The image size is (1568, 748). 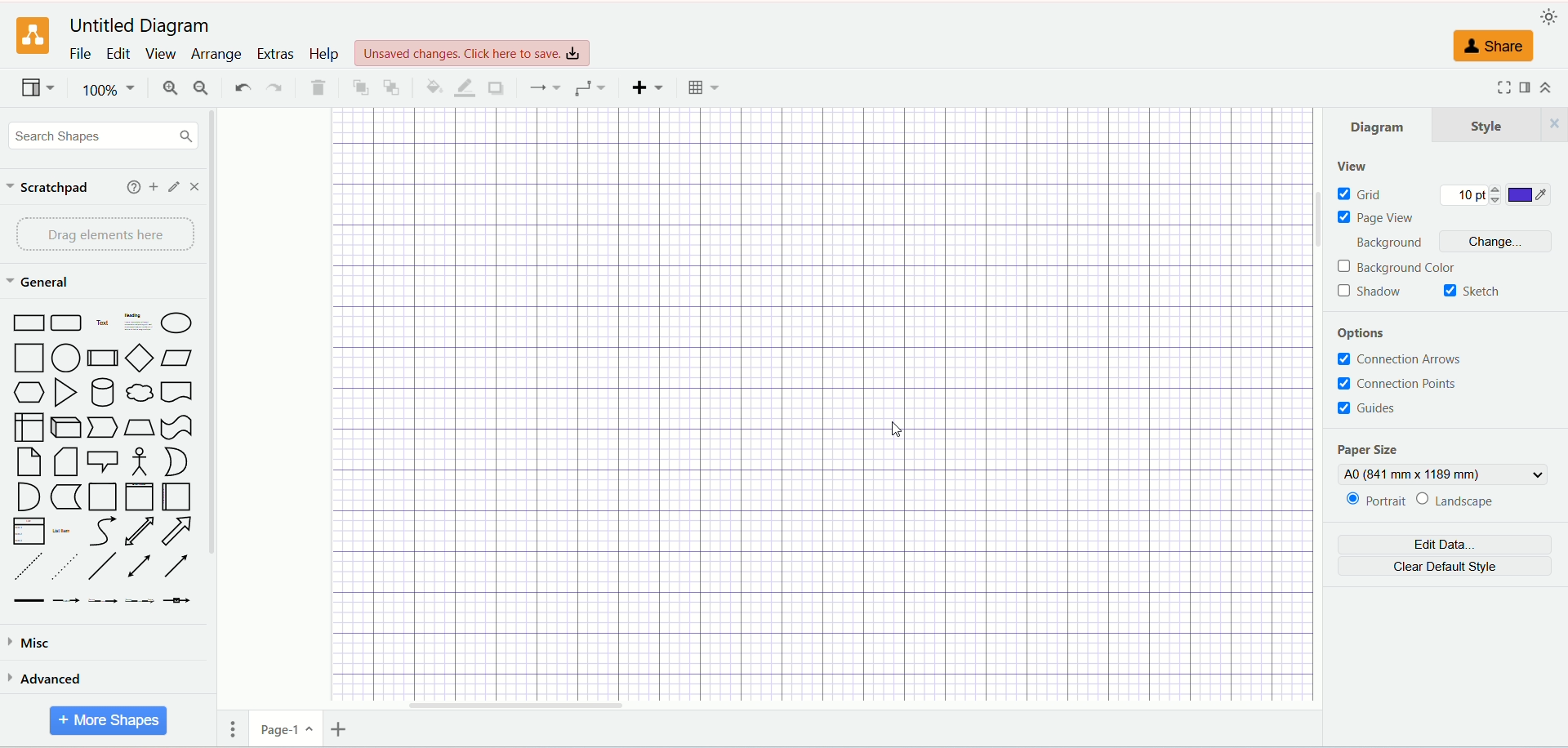 What do you see at coordinates (1371, 335) in the screenshot?
I see `options` at bounding box center [1371, 335].